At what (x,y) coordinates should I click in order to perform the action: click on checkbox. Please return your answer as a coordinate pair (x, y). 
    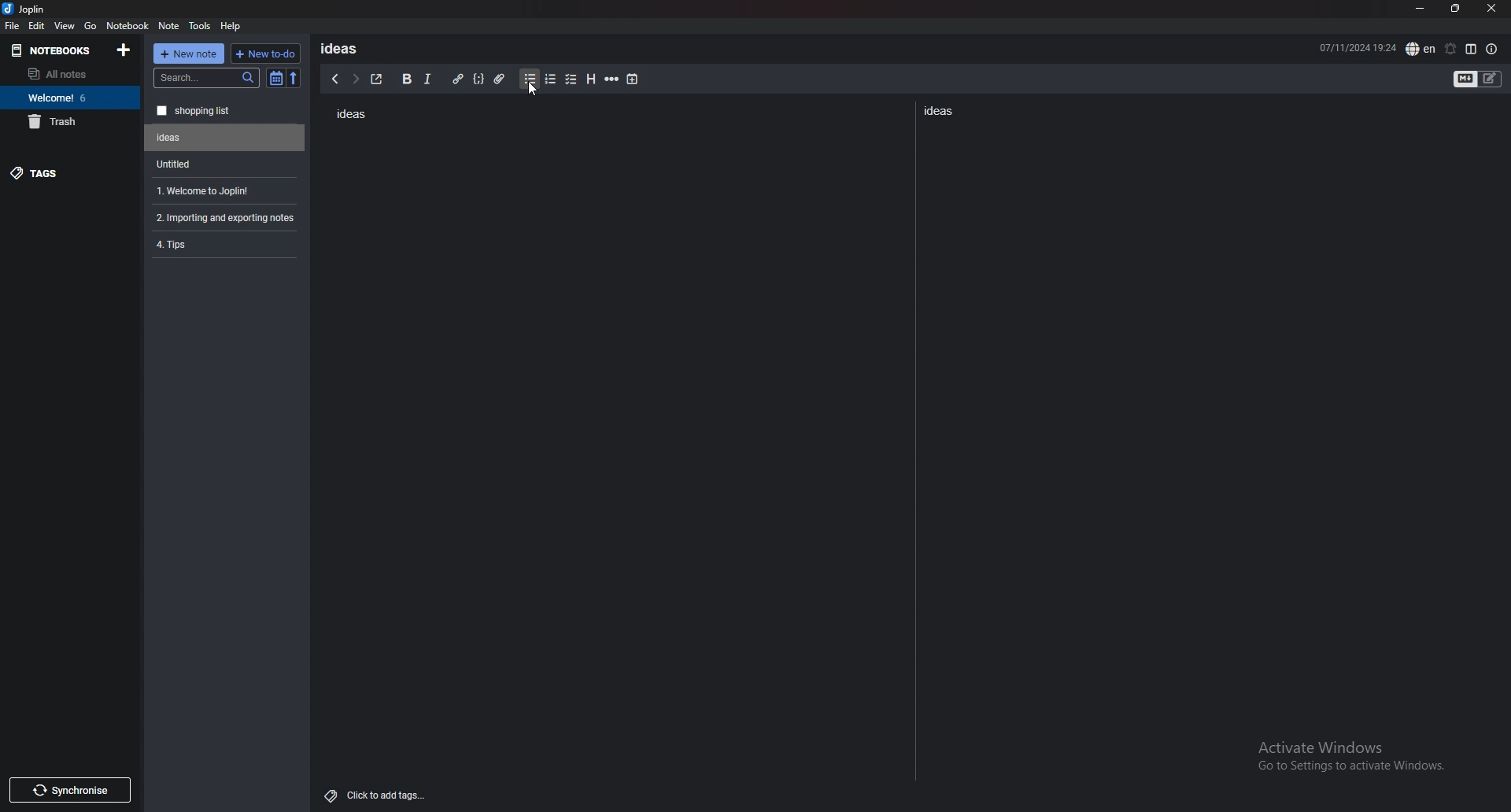
    Looking at the image, I should click on (571, 80).